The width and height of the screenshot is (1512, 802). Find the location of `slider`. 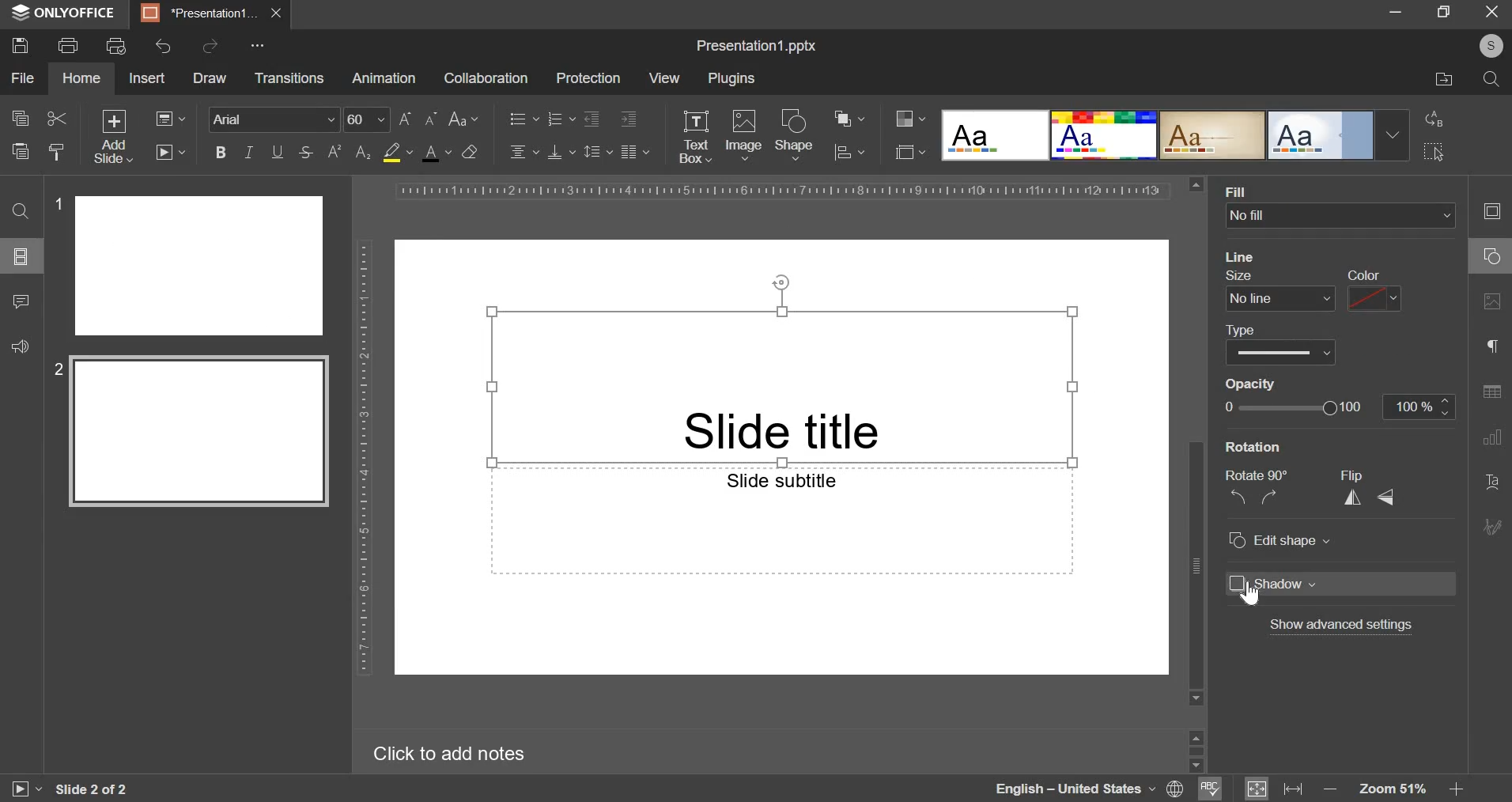

slider is located at coordinates (1195, 749).